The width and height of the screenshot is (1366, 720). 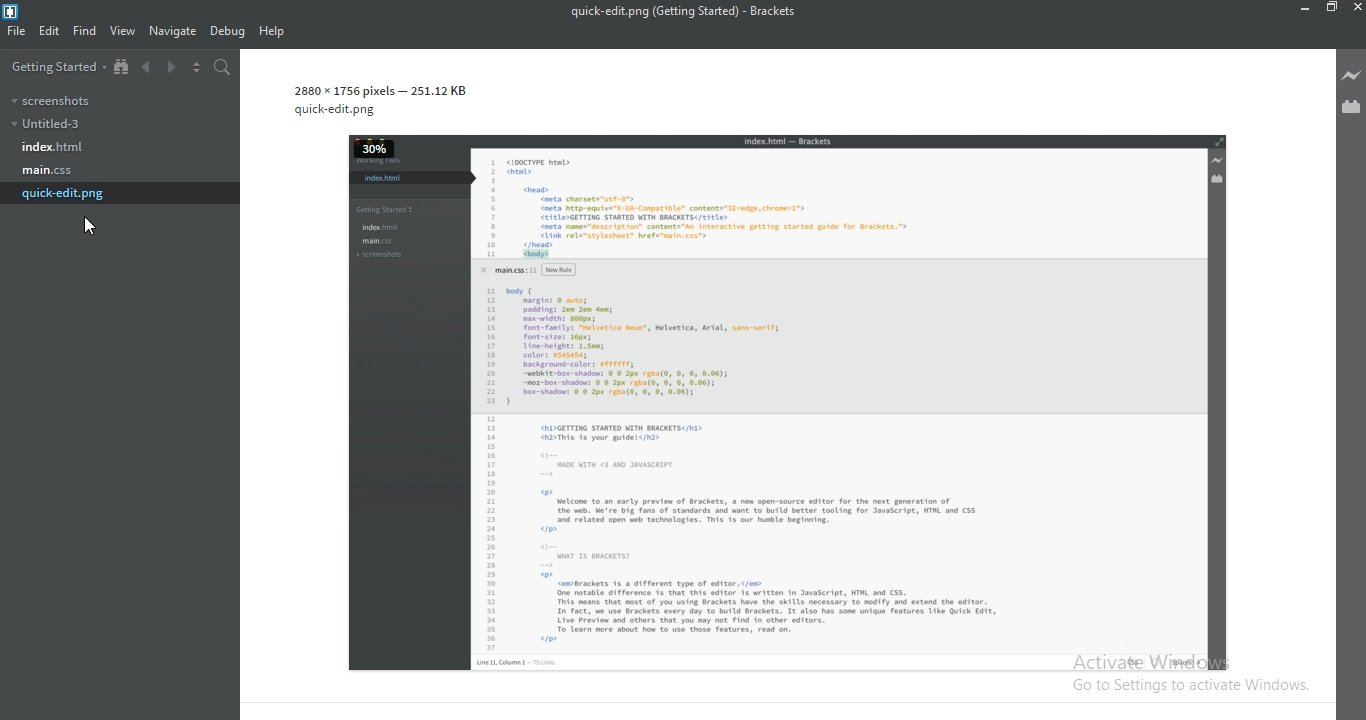 I want to click on close, so click(x=1357, y=8).